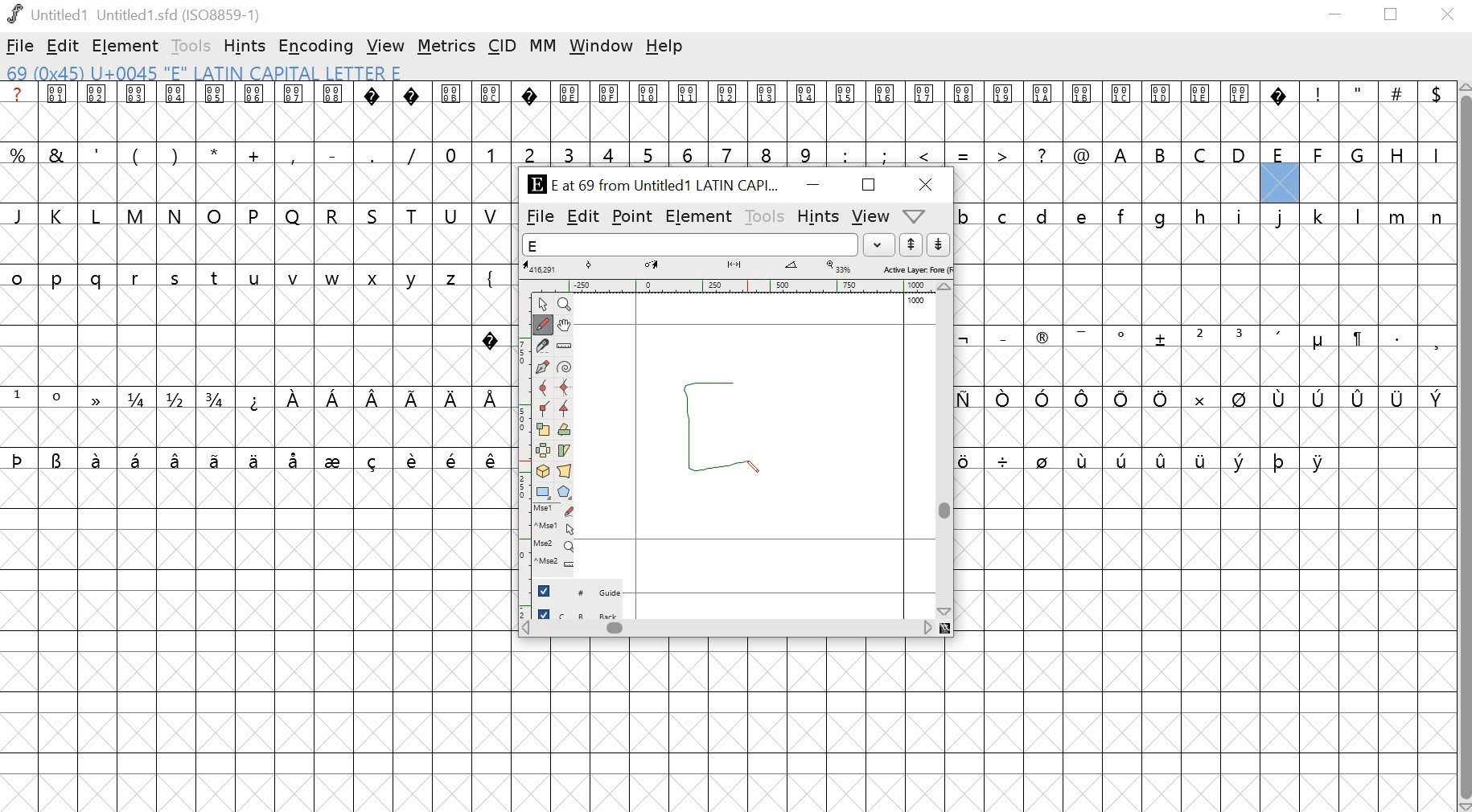 The image size is (1472, 812). I want to click on word list field, so click(690, 244).